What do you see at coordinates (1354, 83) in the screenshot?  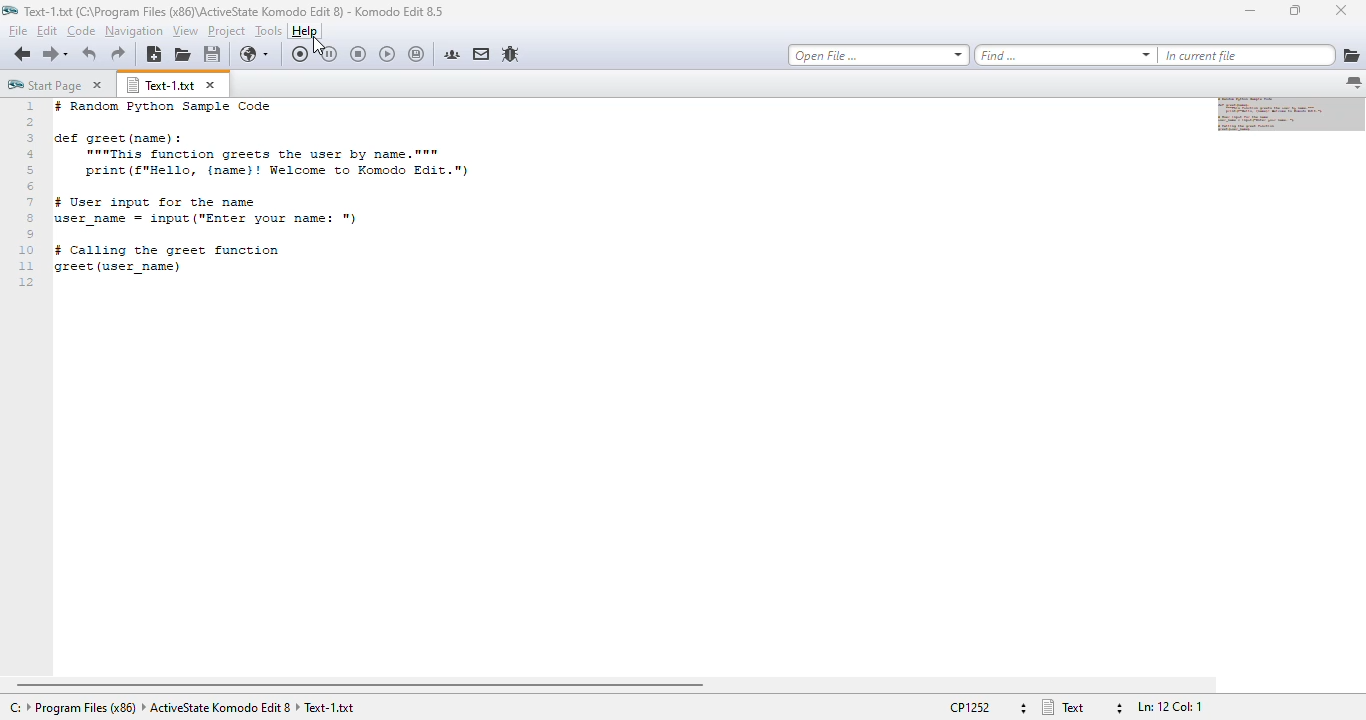 I see `list all tabs` at bounding box center [1354, 83].